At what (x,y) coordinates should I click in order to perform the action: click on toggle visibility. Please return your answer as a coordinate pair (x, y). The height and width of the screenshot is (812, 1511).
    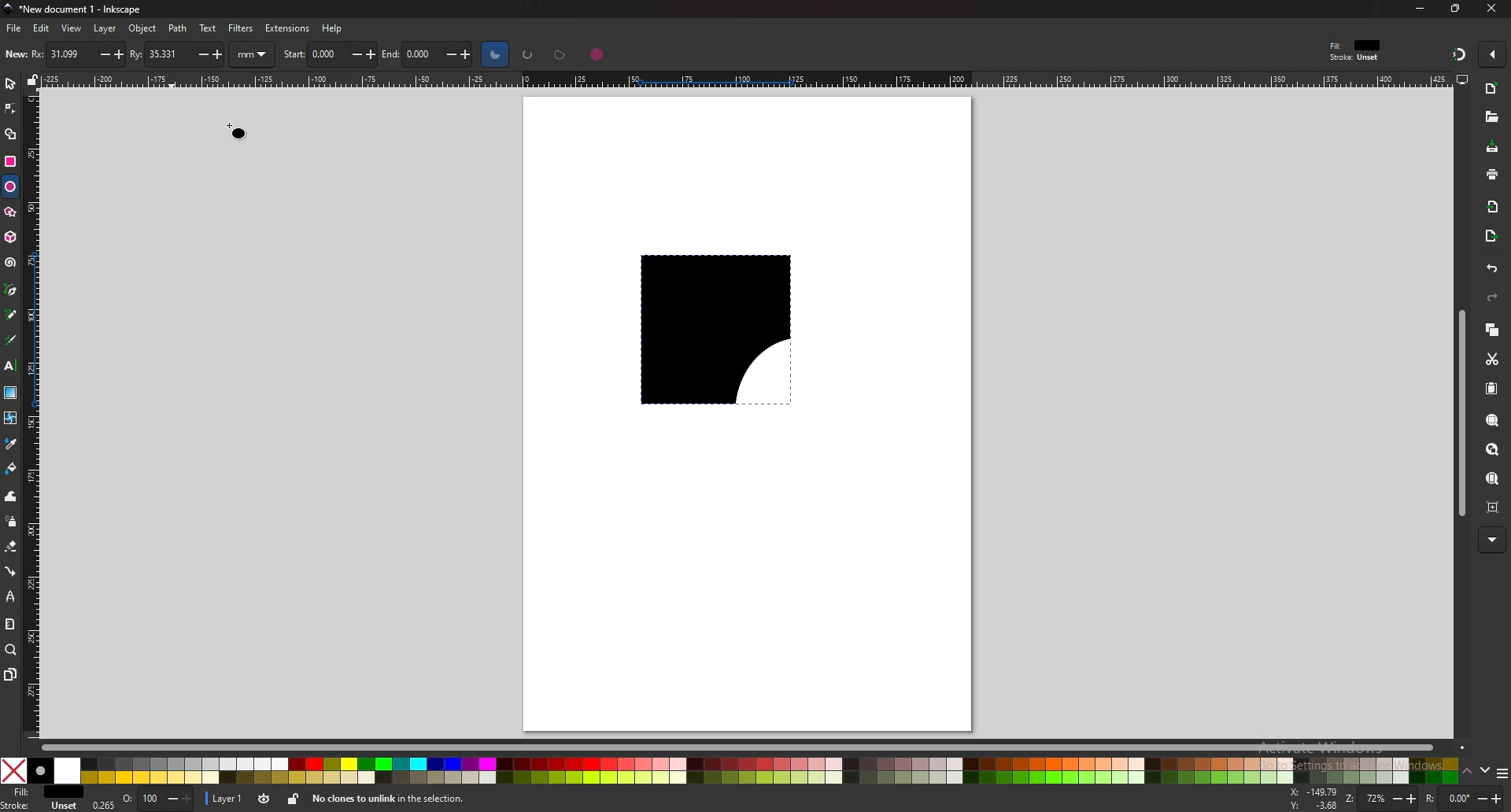
    Looking at the image, I should click on (262, 799).